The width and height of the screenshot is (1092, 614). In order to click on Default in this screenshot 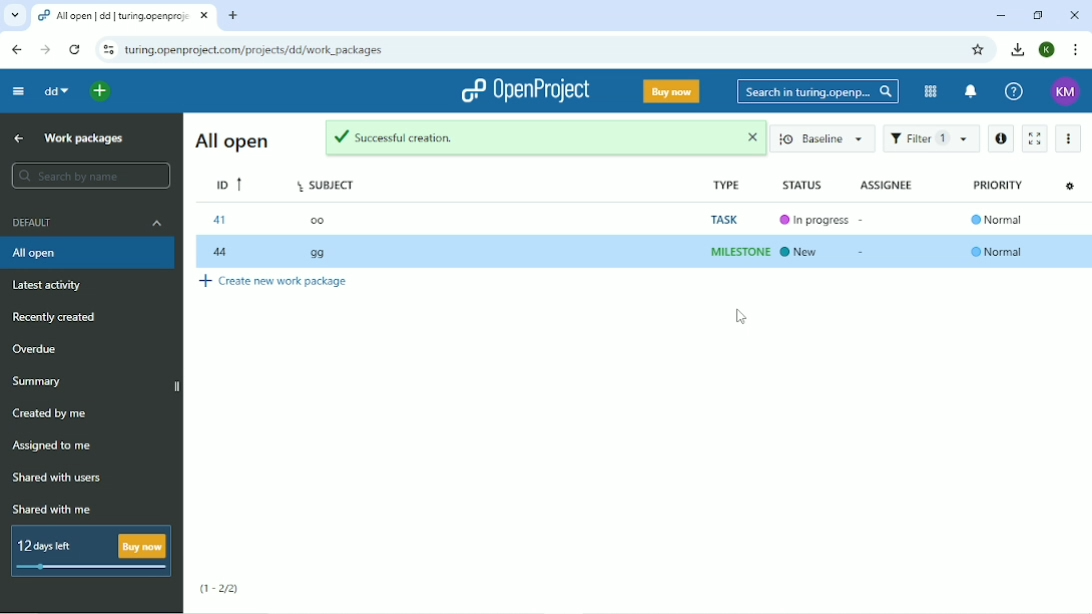, I will do `click(88, 225)`.